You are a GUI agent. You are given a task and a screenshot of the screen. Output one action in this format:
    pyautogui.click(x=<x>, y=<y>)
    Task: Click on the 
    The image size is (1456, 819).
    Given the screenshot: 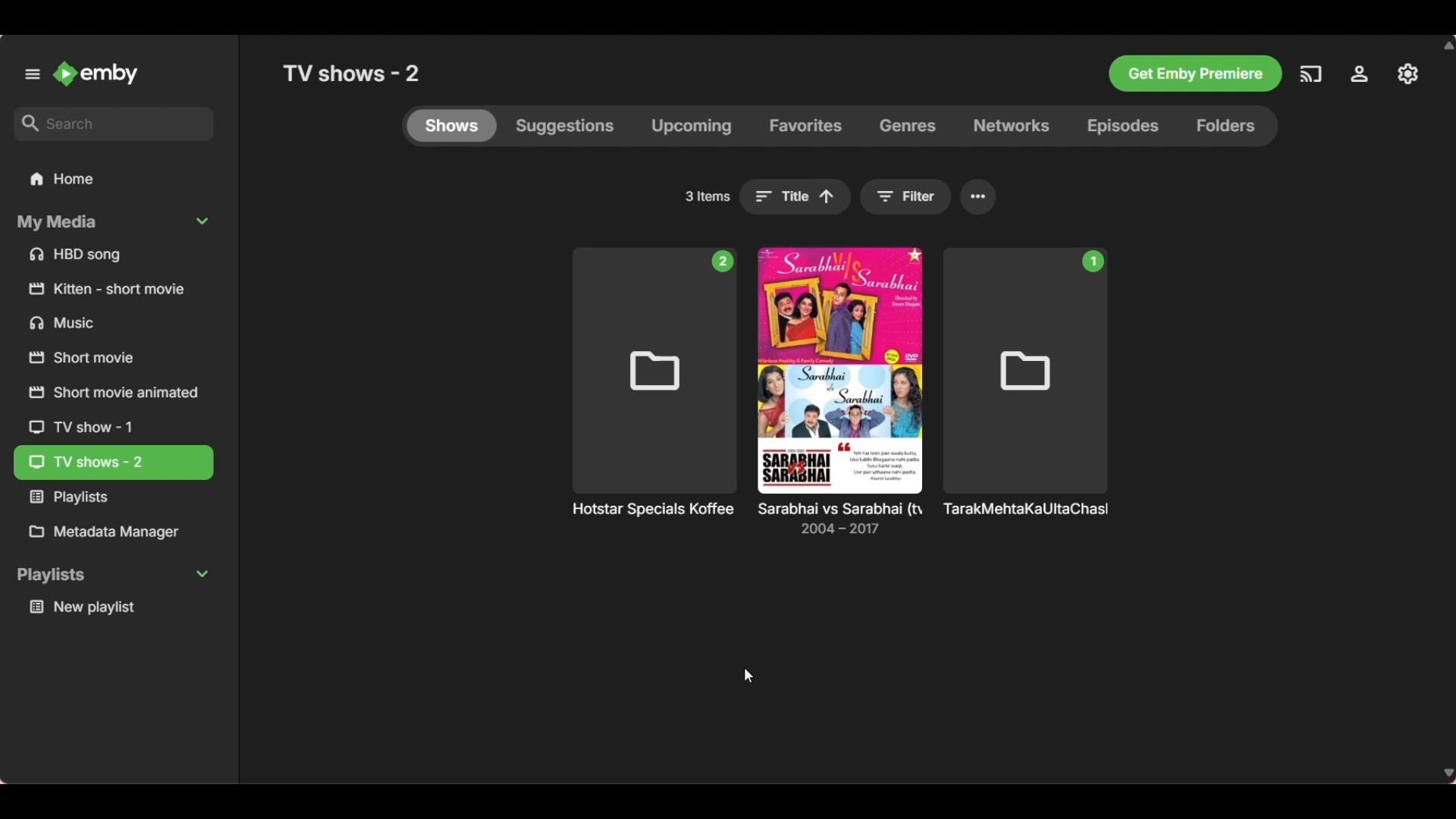 What is the action you would take?
    pyautogui.click(x=1310, y=73)
    